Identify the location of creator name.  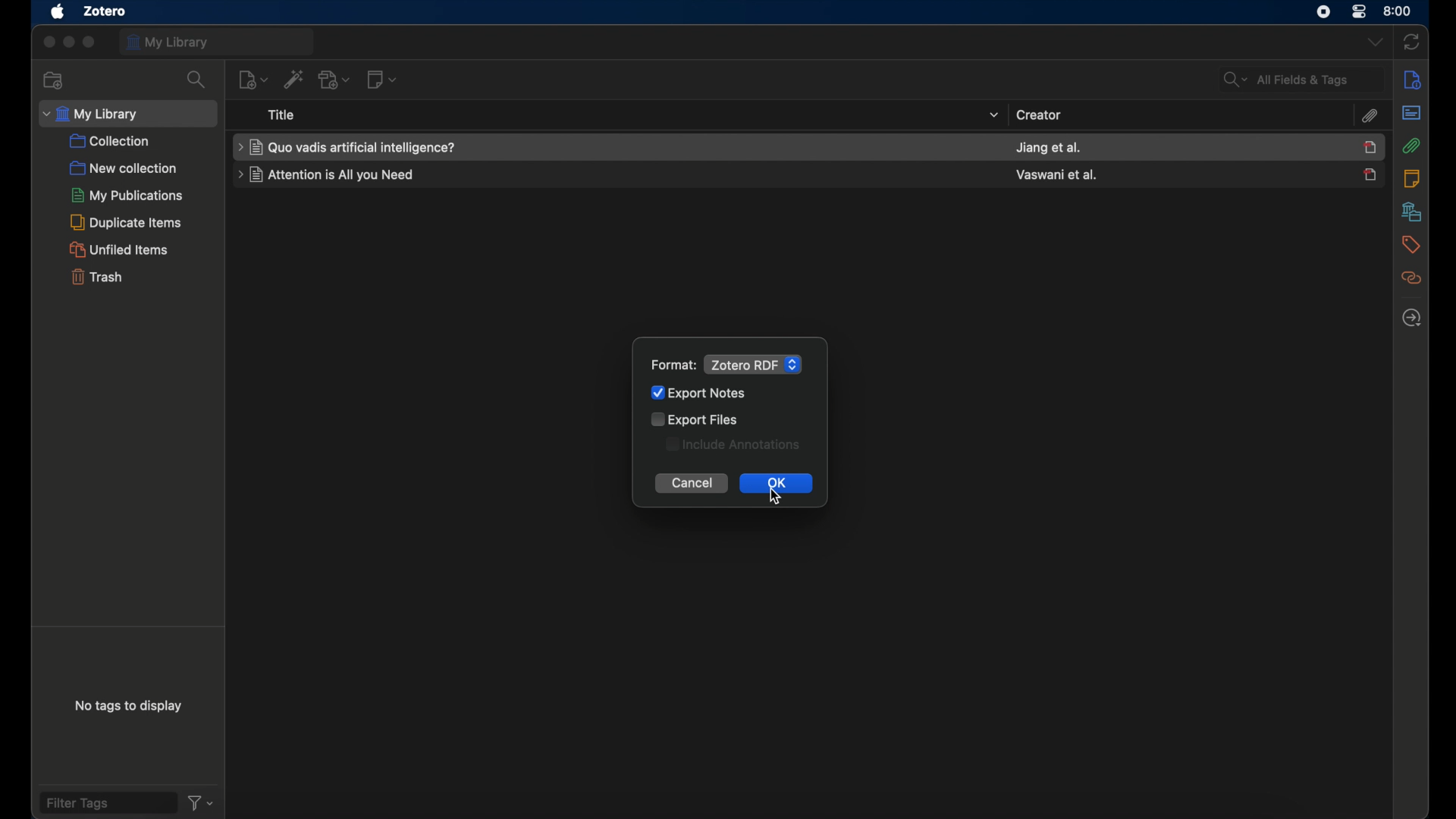
(1048, 148).